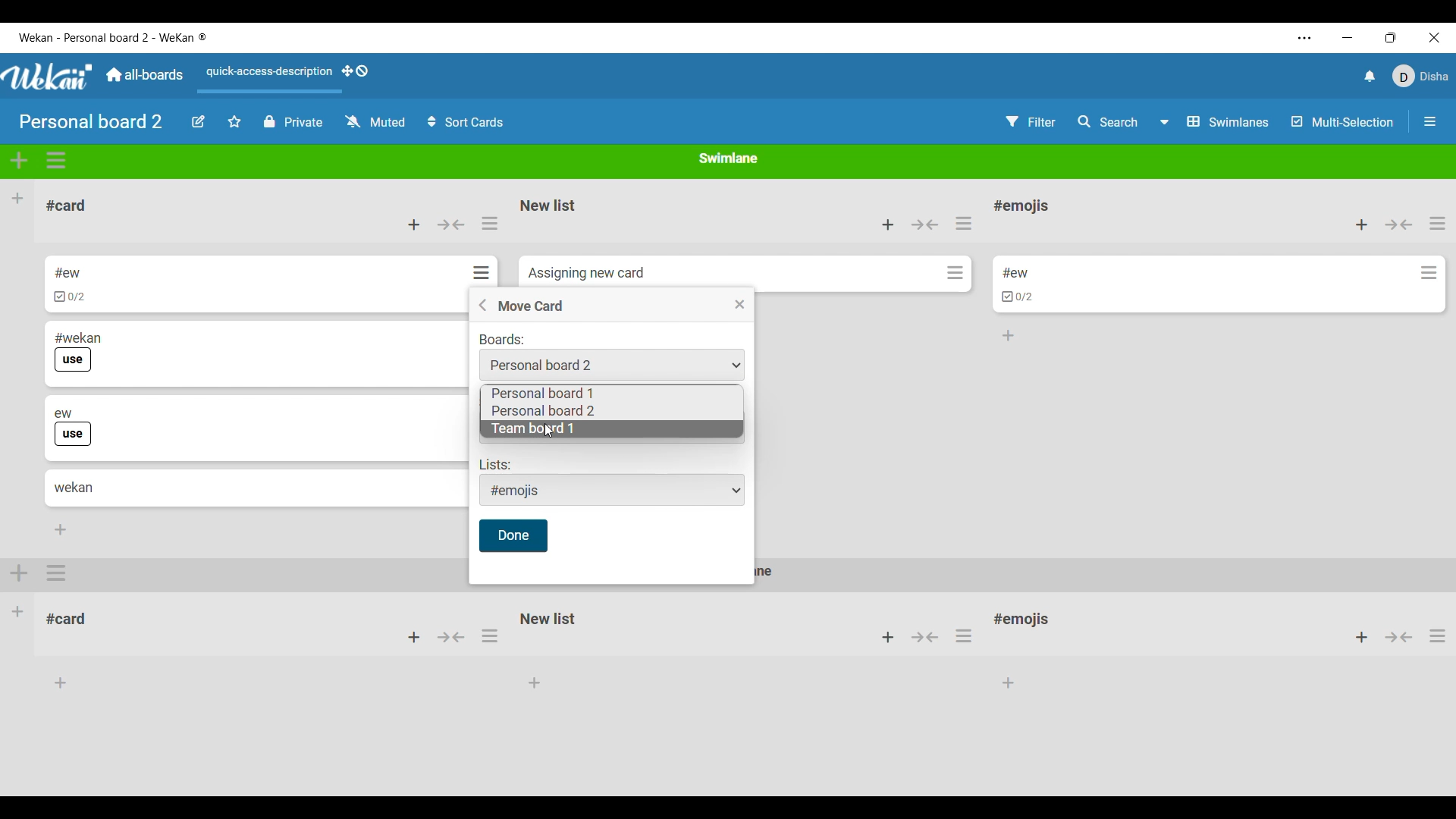 Image resolution: width=1456 pixels, height=819 pixels. I want to click on Card actions, so click(955, 272).